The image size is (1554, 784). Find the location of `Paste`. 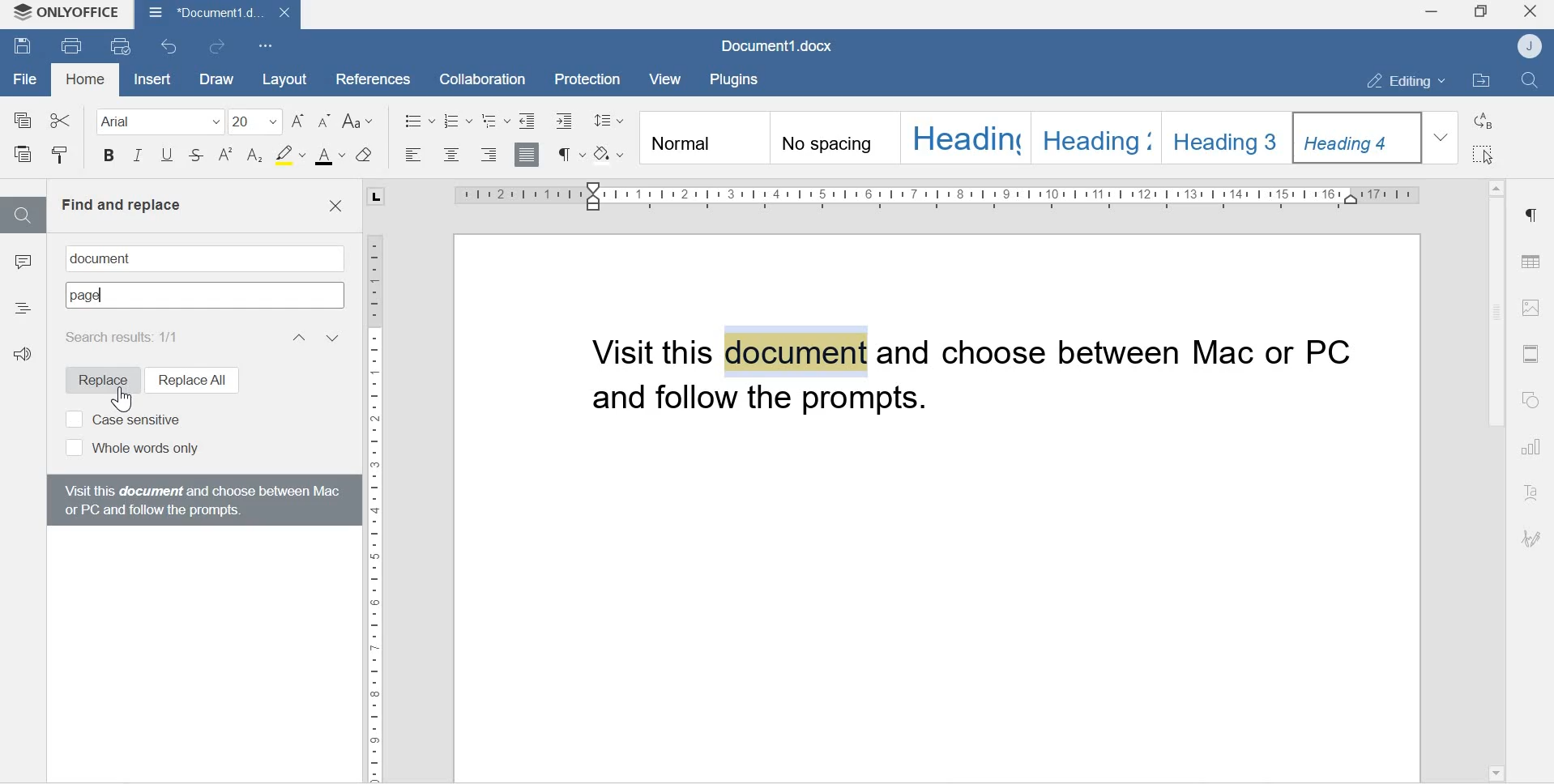

Paste is located at coordinates (25, 156).